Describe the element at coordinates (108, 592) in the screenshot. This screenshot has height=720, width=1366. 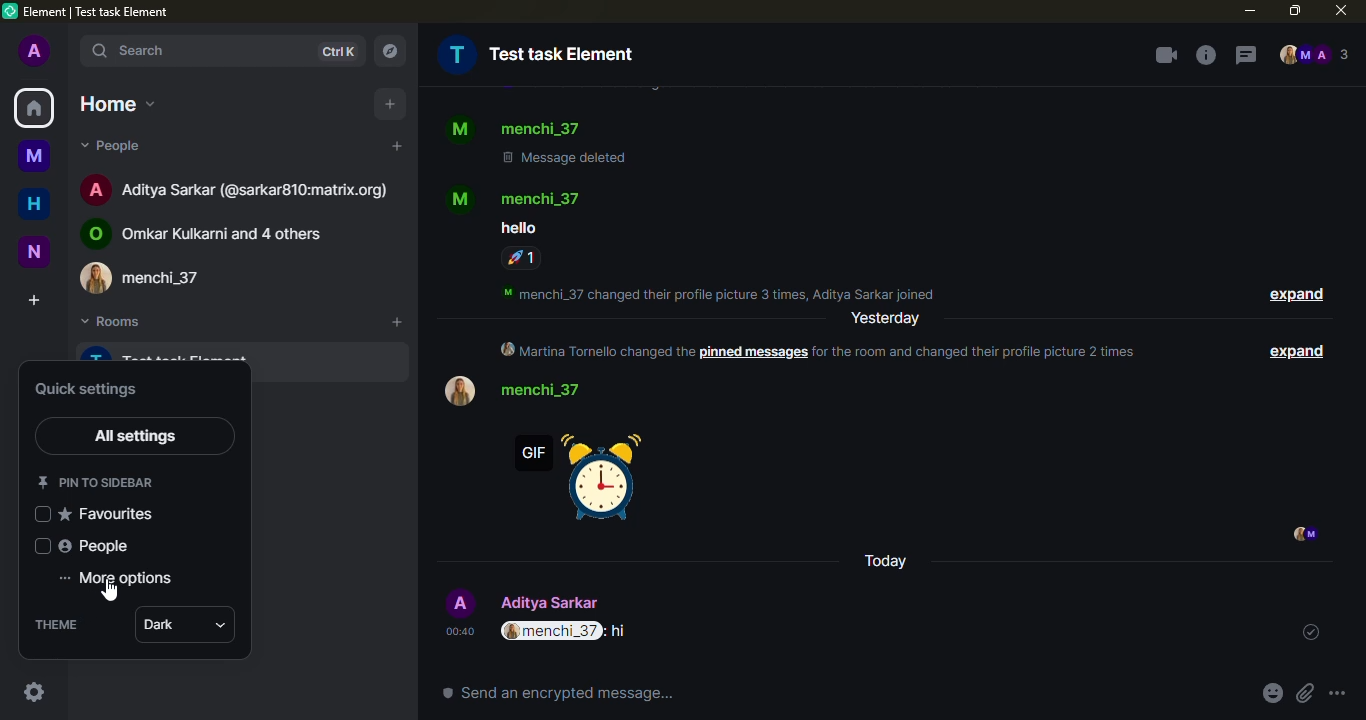
I see `cursor` at that location.